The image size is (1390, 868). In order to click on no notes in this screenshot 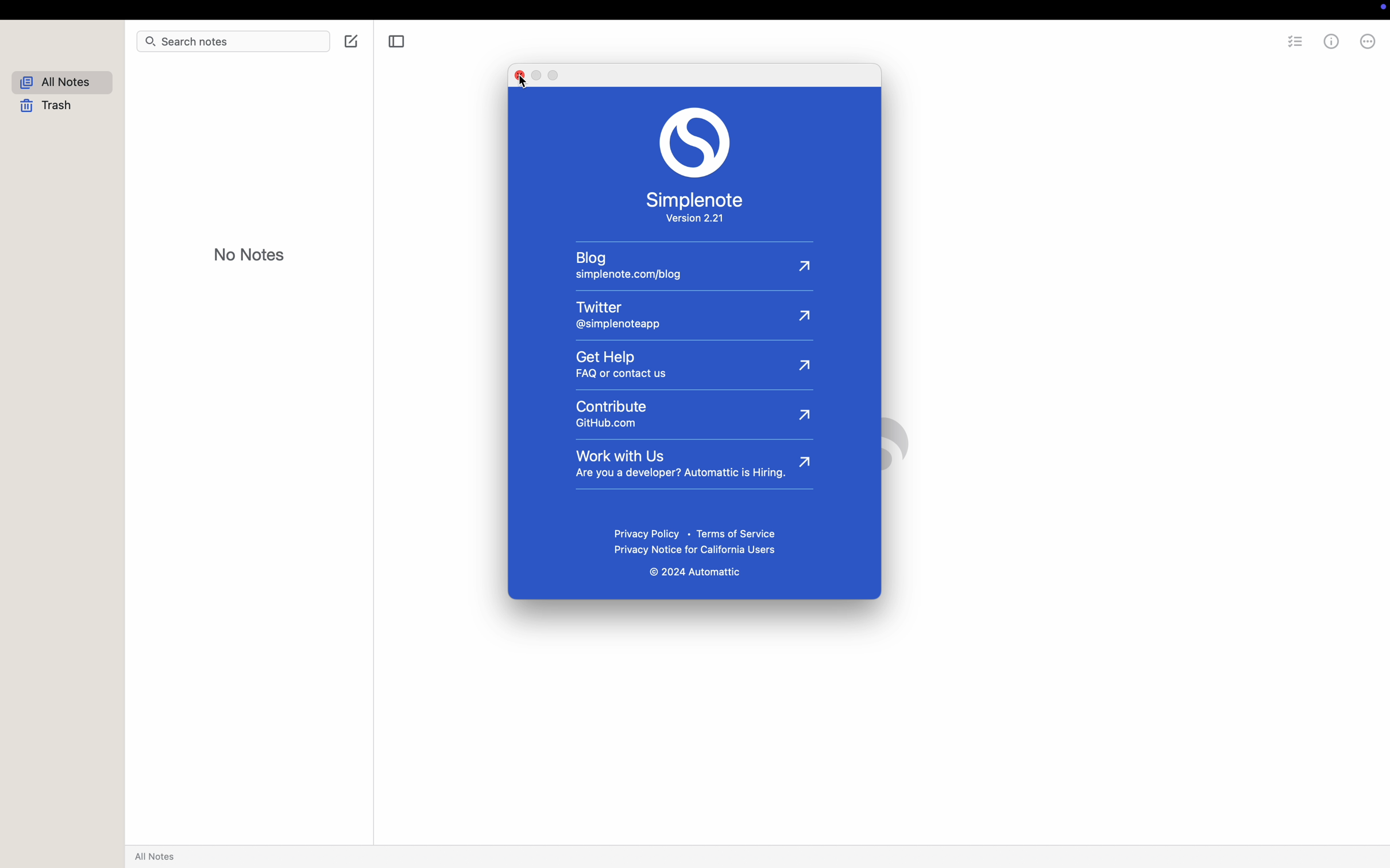, I will do `click(250, 254)`.